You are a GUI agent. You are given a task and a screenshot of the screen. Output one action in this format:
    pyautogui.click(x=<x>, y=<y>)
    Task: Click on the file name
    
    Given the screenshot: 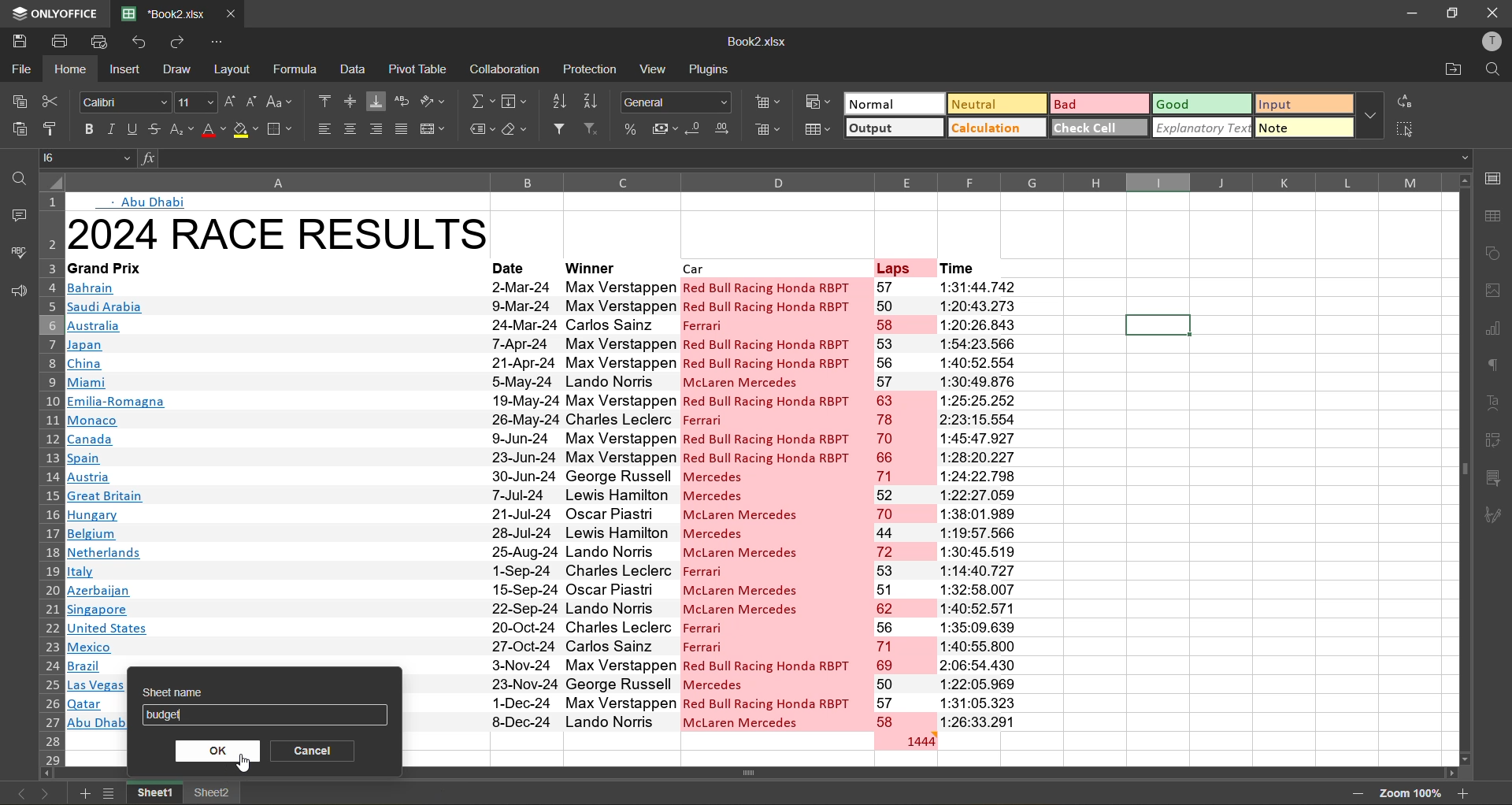 What is the action you would take?
    pyautogui.click(x=754, y=41)
    